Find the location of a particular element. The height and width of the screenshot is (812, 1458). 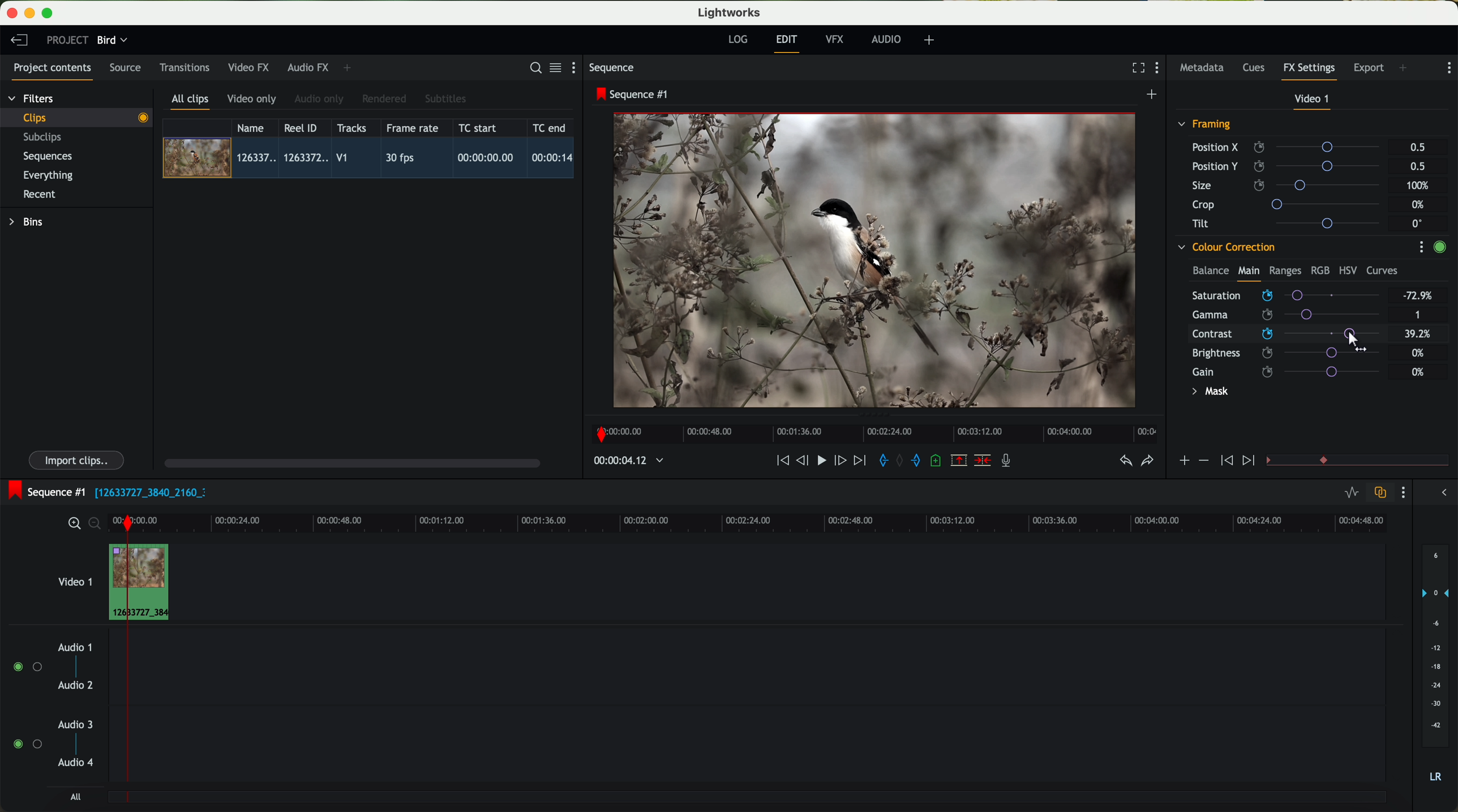

mouse up (saturation) is located at coordinates (1285, 293).